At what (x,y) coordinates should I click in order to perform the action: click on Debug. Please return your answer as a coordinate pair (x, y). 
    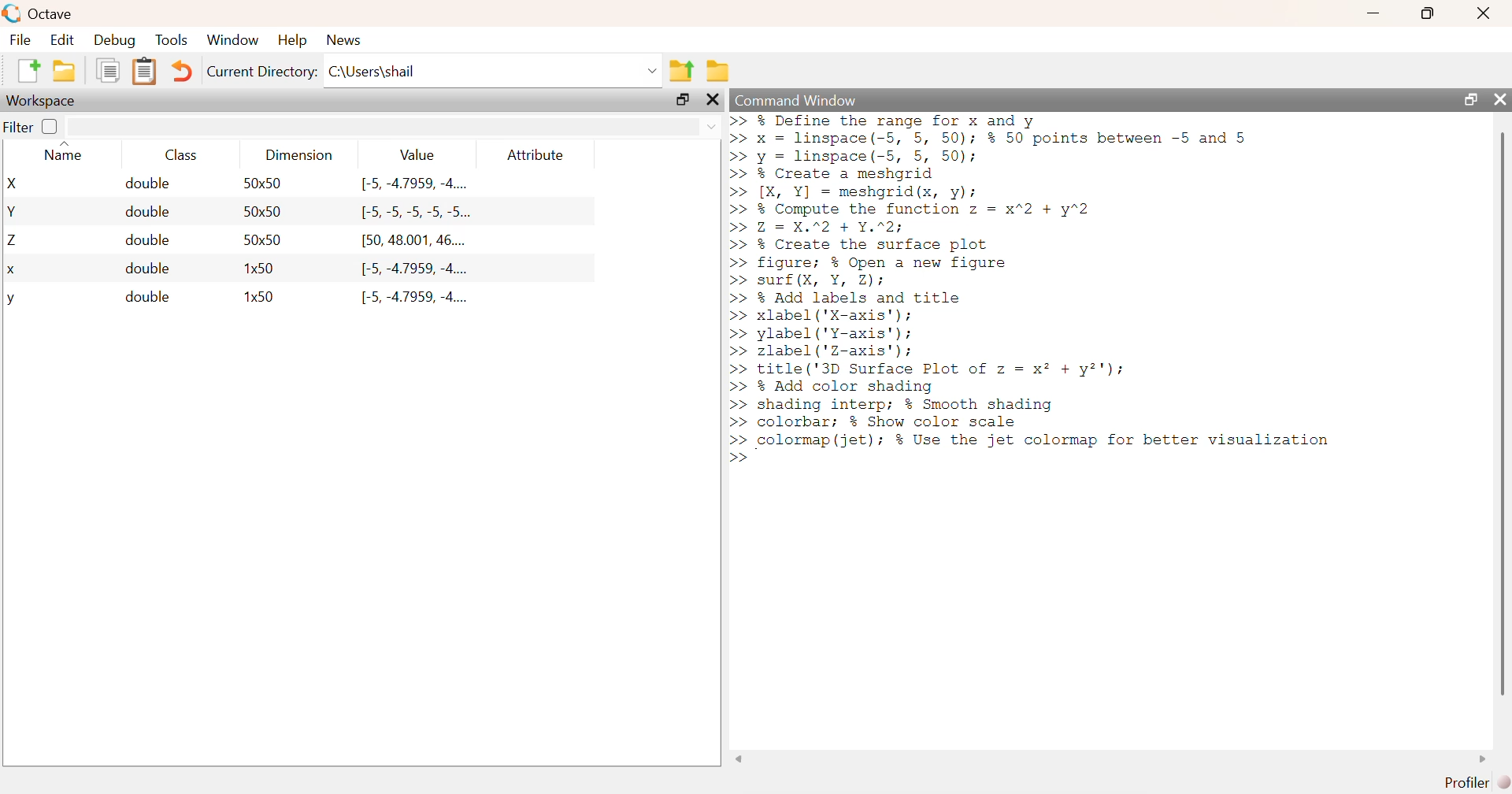
    Looking at the image, I should click on (115, 39).